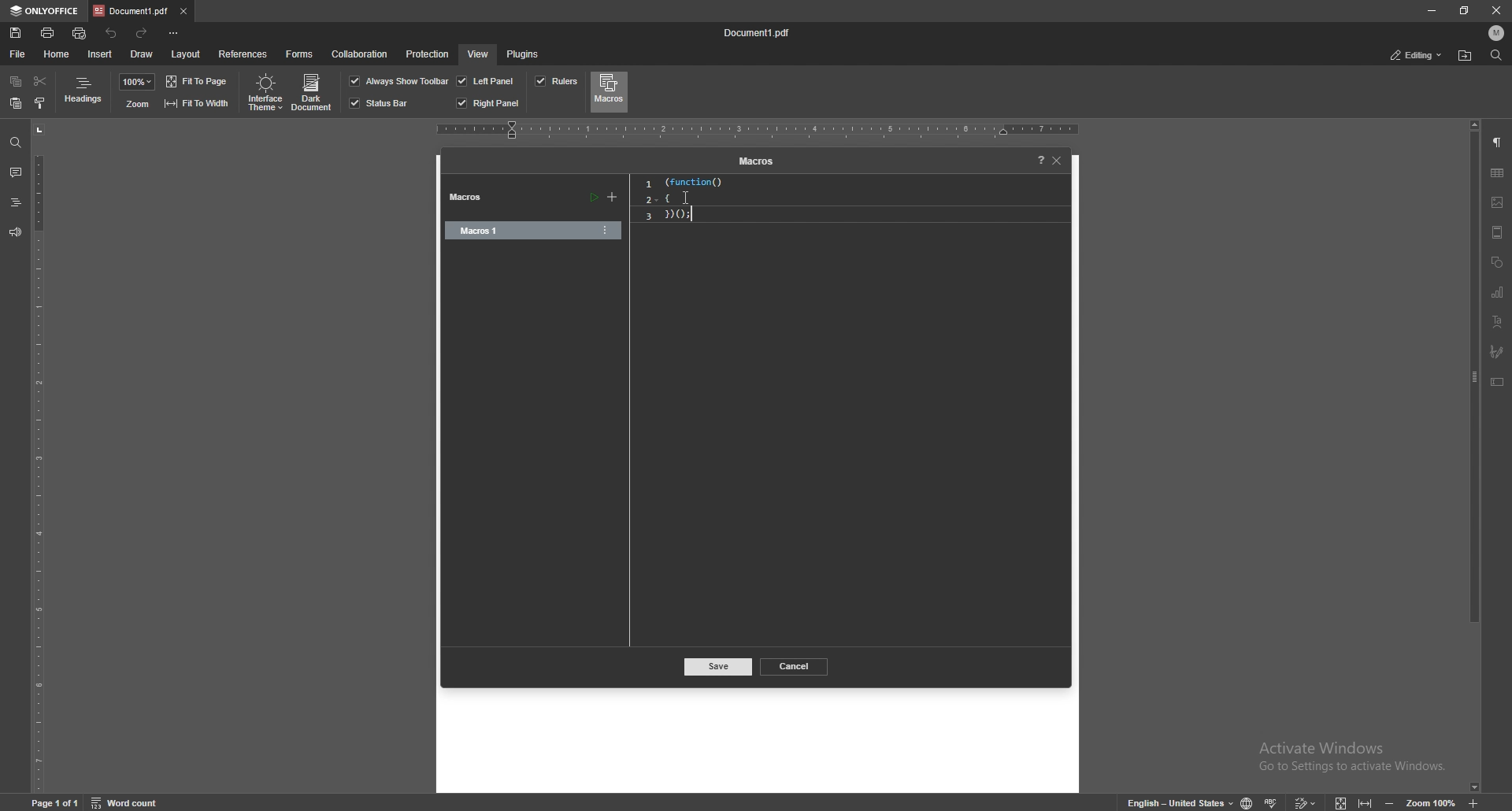  I want to click on right panel, so click(488, 103).